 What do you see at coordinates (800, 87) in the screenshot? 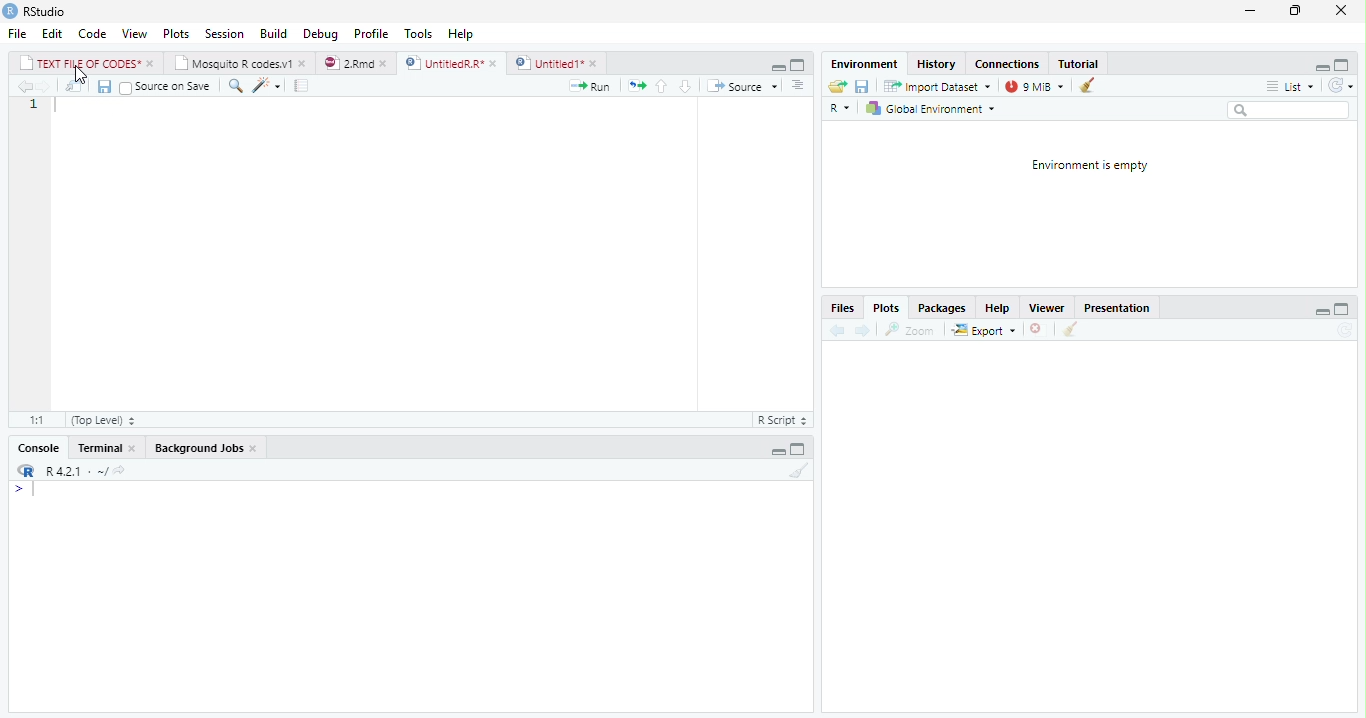
I see `show document outline` at bounding box center [800, 87].